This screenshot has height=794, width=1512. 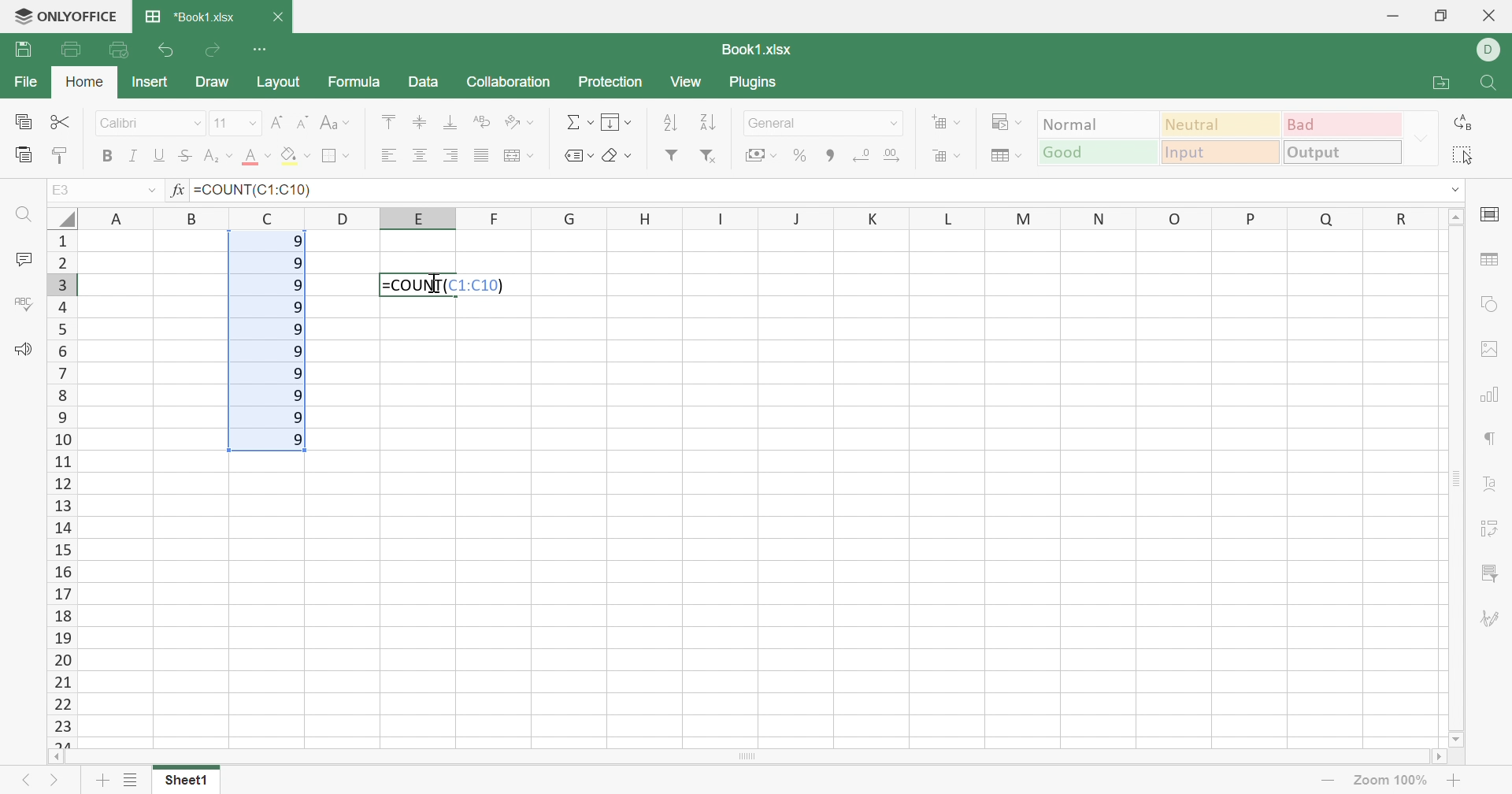 I want to click on Copy, so click(x=25, y=123).